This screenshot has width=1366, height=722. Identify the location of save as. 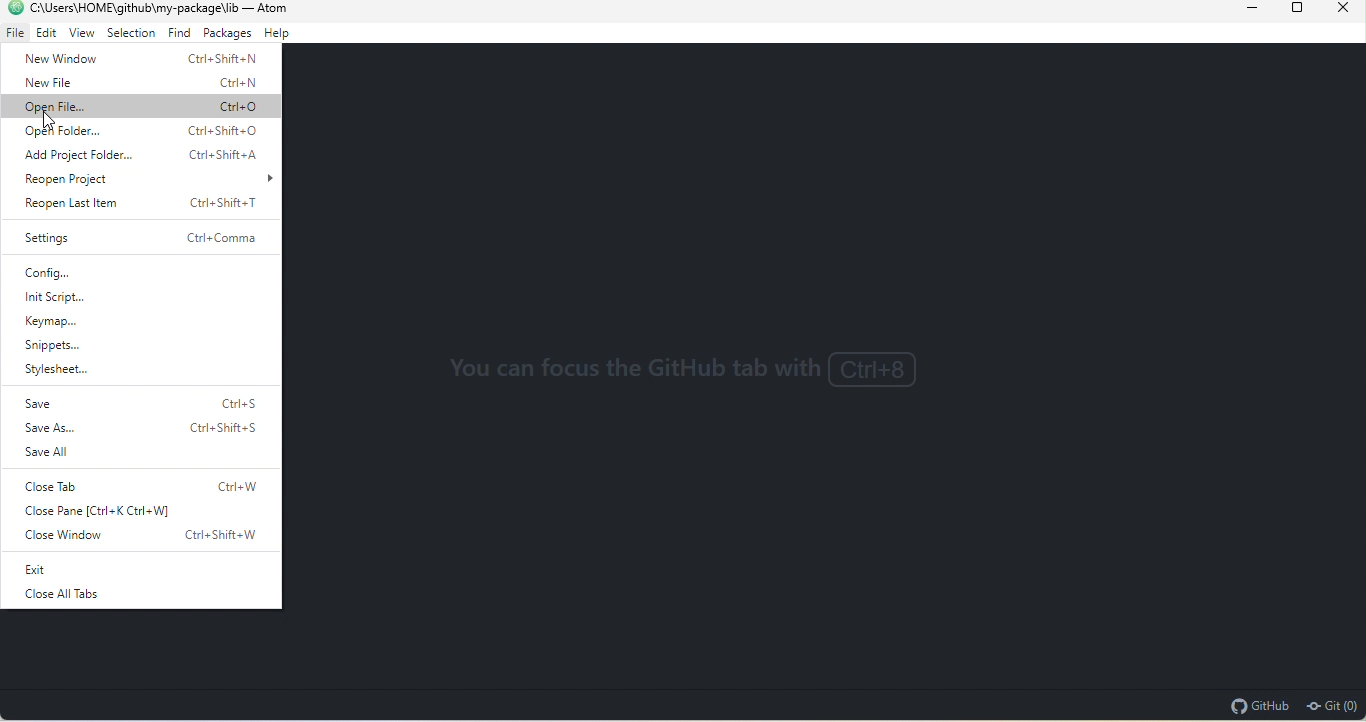
(136, 428).